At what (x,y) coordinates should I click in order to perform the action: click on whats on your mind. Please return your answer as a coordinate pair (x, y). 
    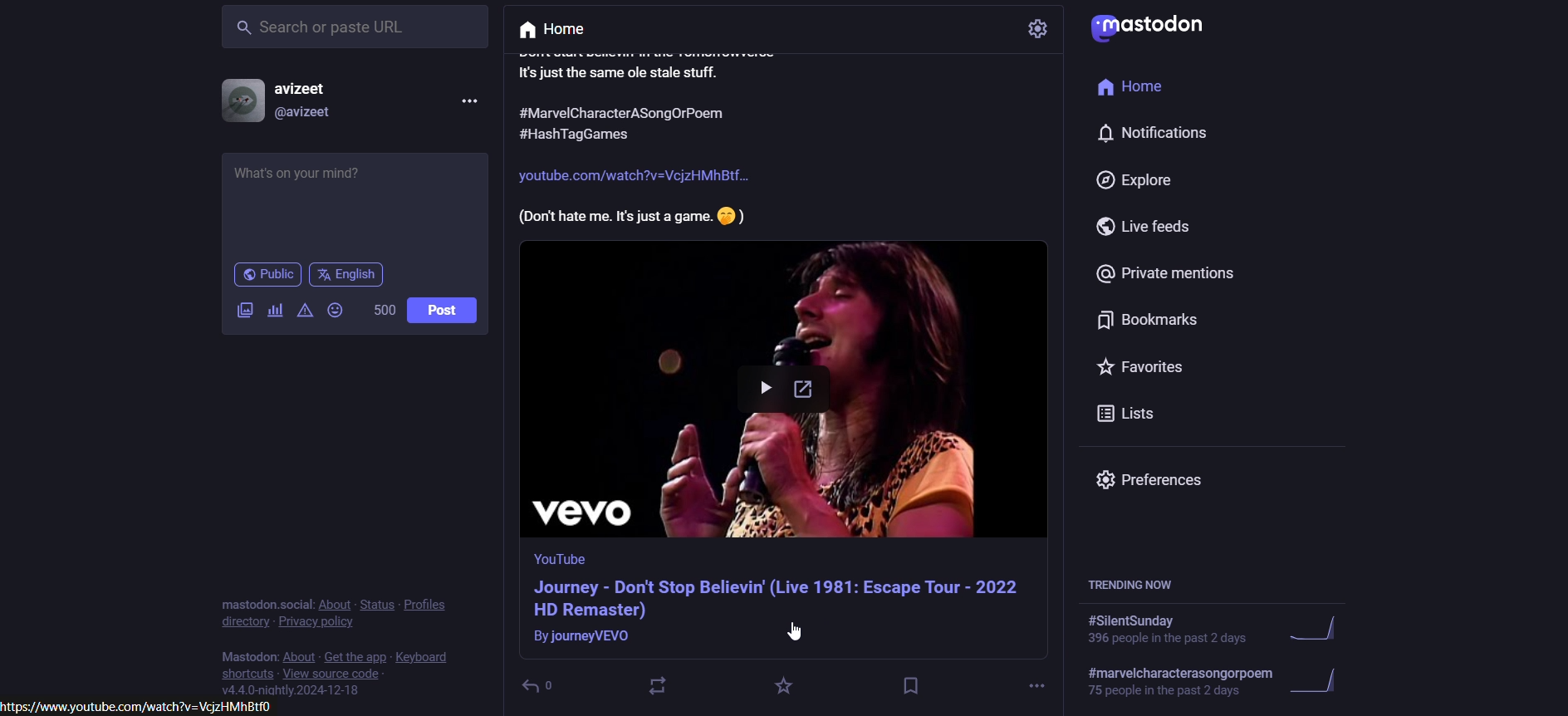
    Looking at the image, I should click on (353, 202).